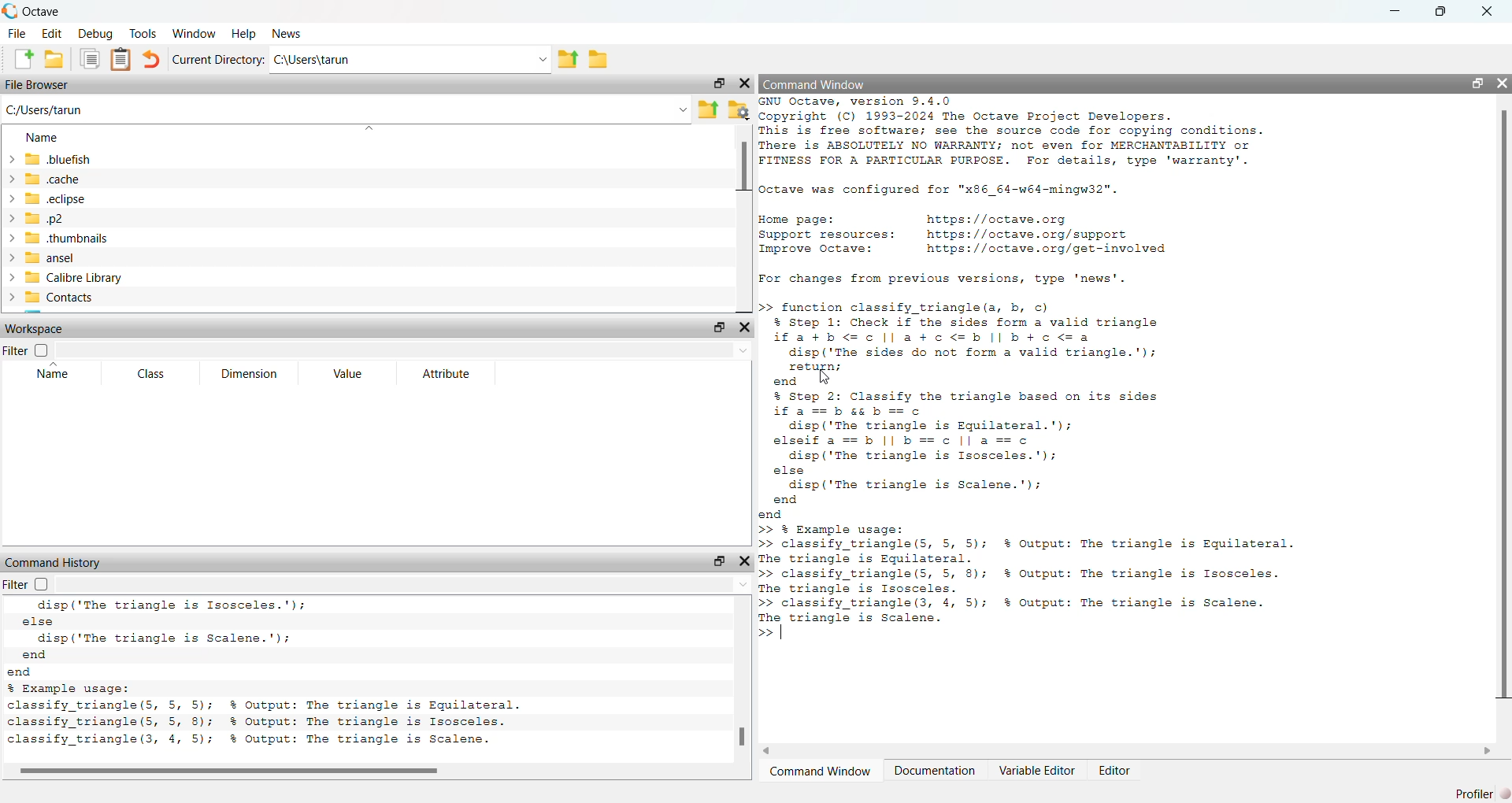  Describe the element at coordinates (55, 562) in the screenshot. I see `command history` at that location.